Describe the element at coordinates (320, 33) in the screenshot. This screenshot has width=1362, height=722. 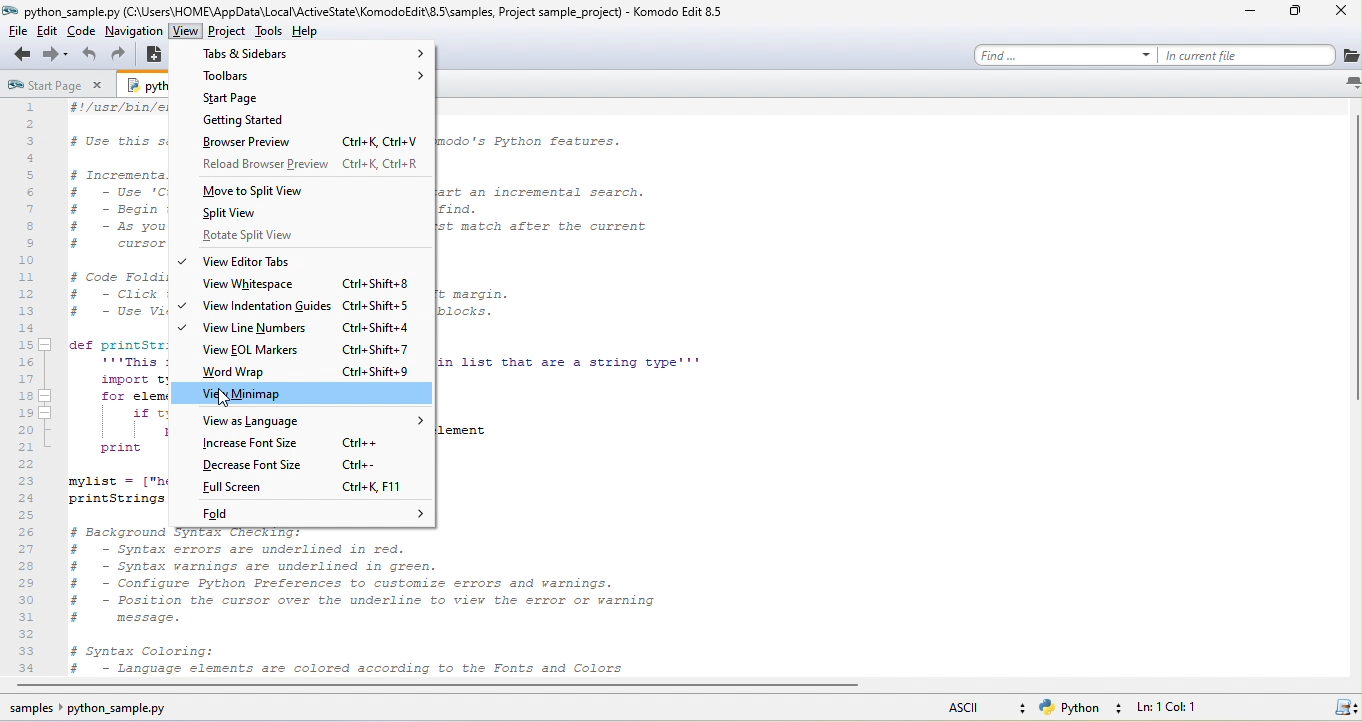
I see `help` at that location.